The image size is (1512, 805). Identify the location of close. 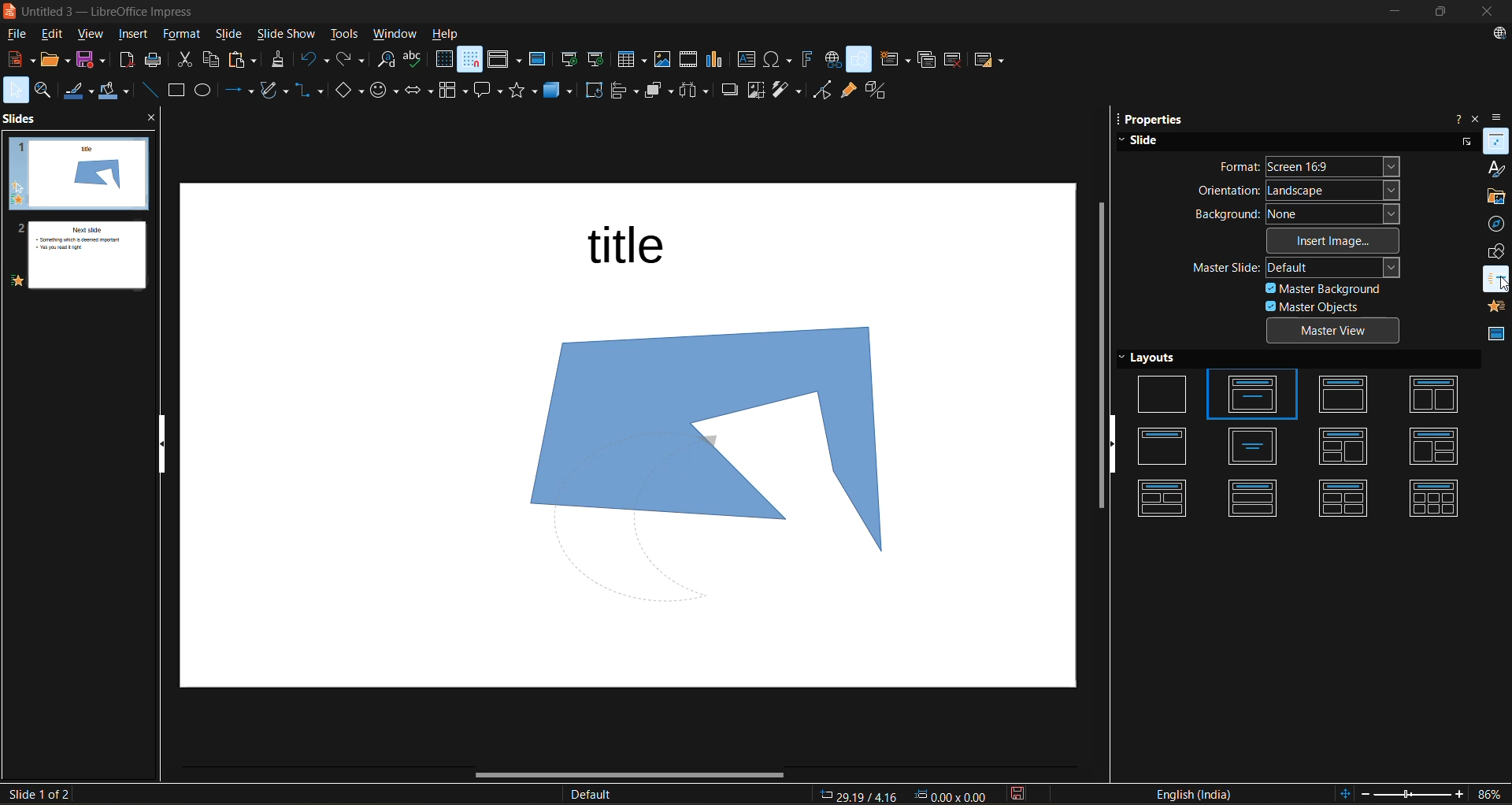
(1489, 11).